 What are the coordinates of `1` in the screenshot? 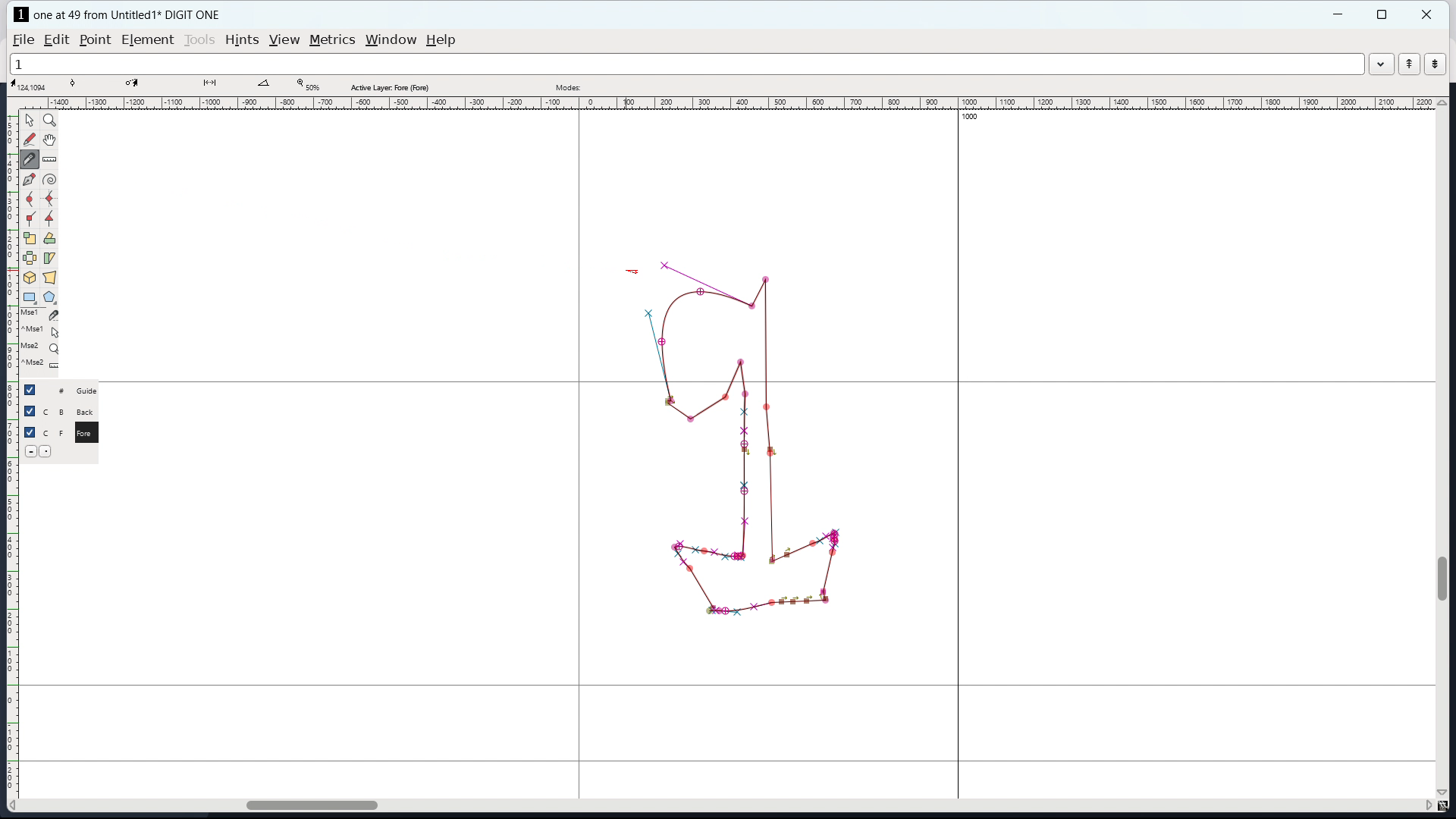 It's located at (686, 64).